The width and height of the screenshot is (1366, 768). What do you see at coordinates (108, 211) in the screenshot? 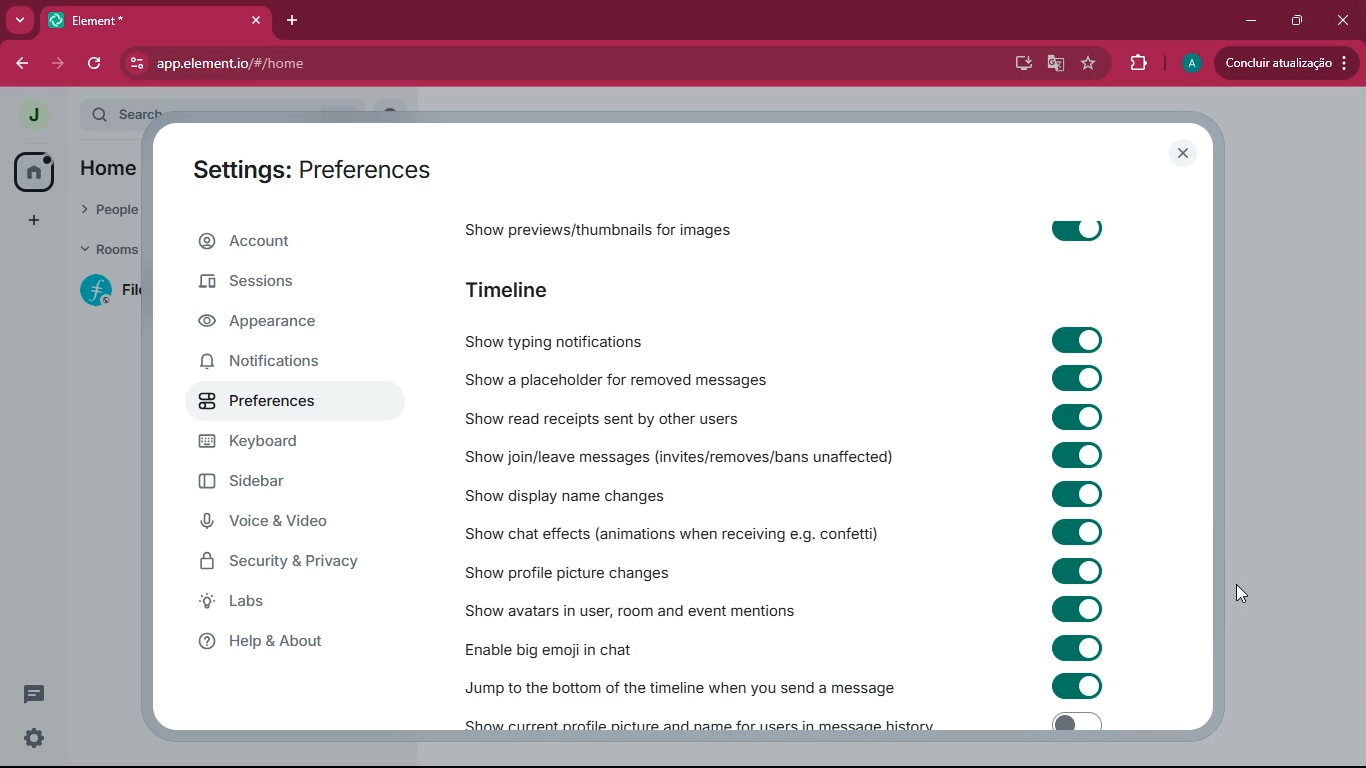
I see `people` at bounding box center [108, 211].